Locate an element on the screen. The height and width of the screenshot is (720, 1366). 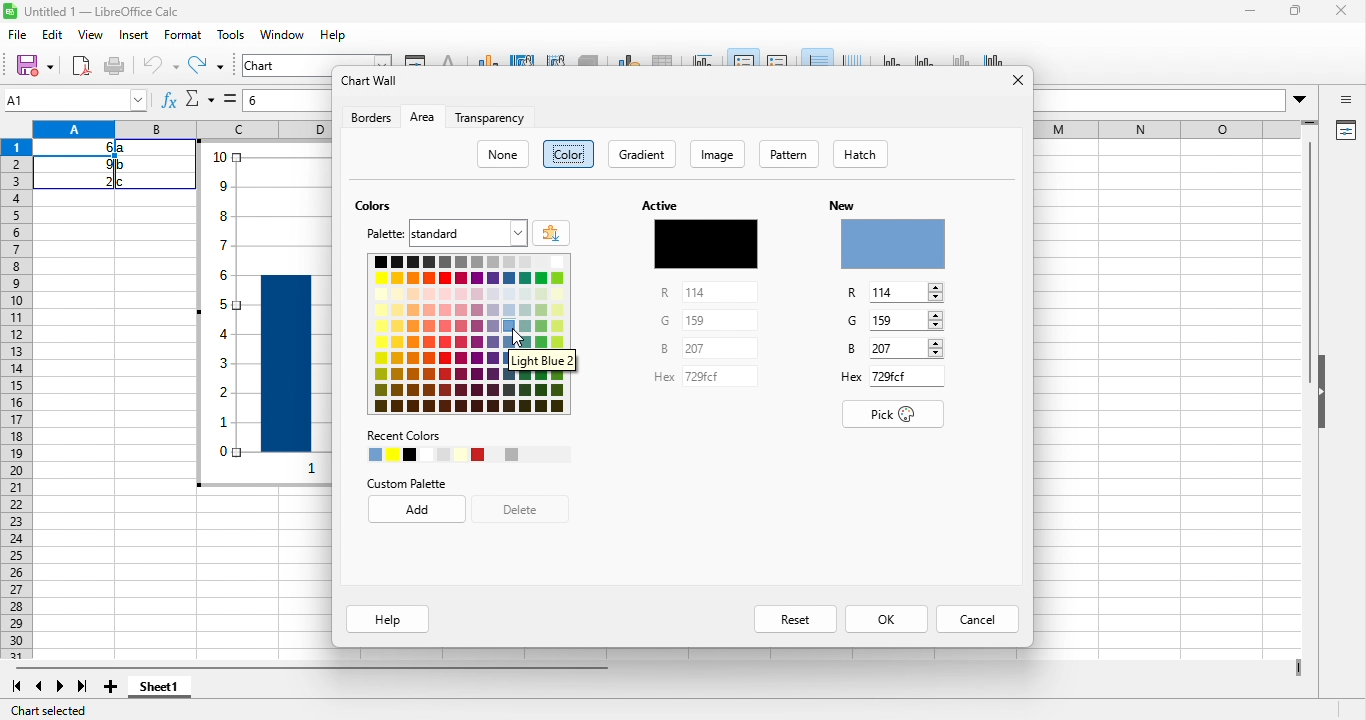
G is located at coordinates (840, 323).